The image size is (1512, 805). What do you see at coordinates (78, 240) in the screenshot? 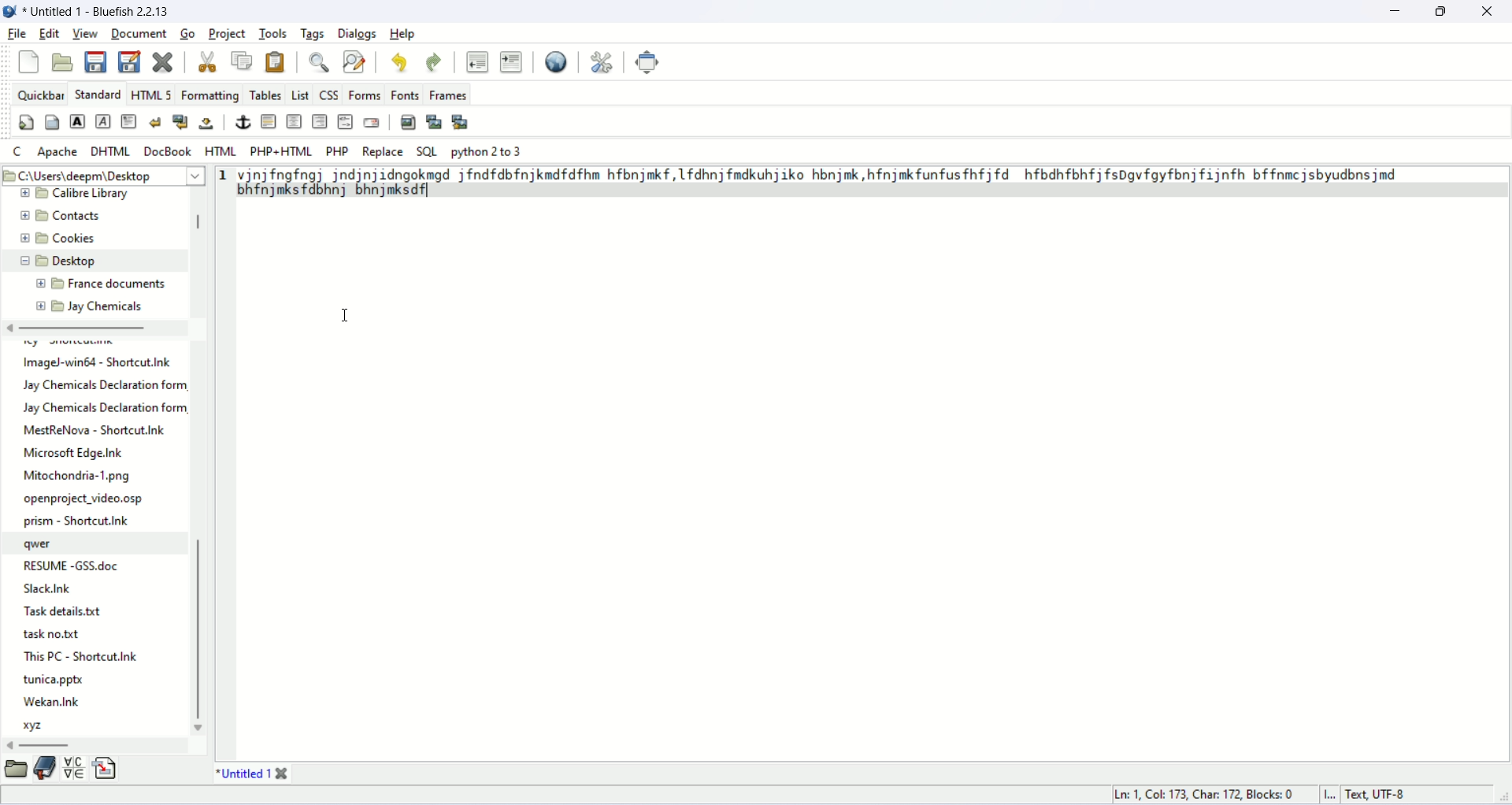
I see `Cookies.` at bounding box center [78, 240].